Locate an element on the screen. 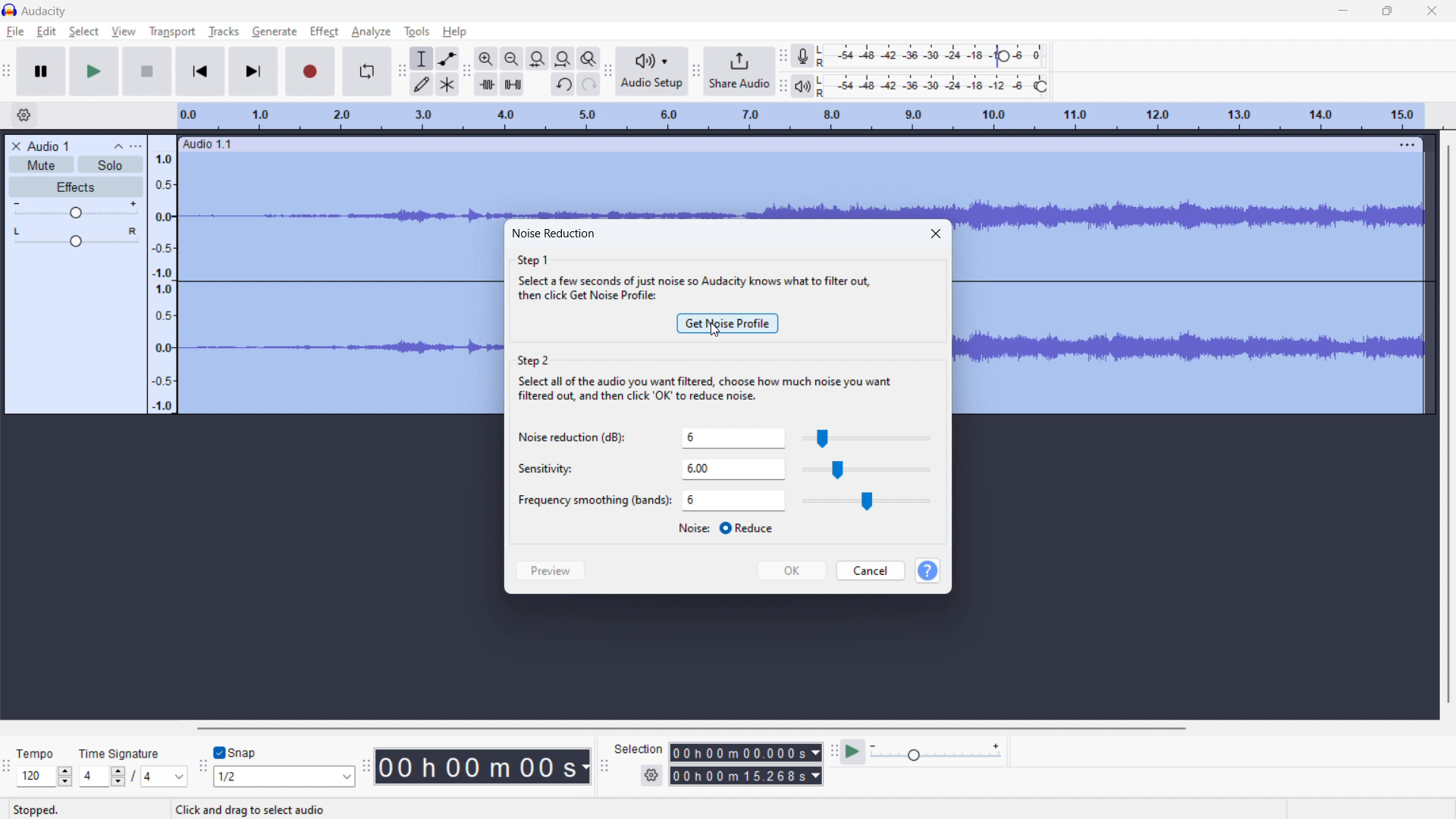 The width and height of the screenshot is (1456, 819). zoom in is located at coordinates (485, 59).